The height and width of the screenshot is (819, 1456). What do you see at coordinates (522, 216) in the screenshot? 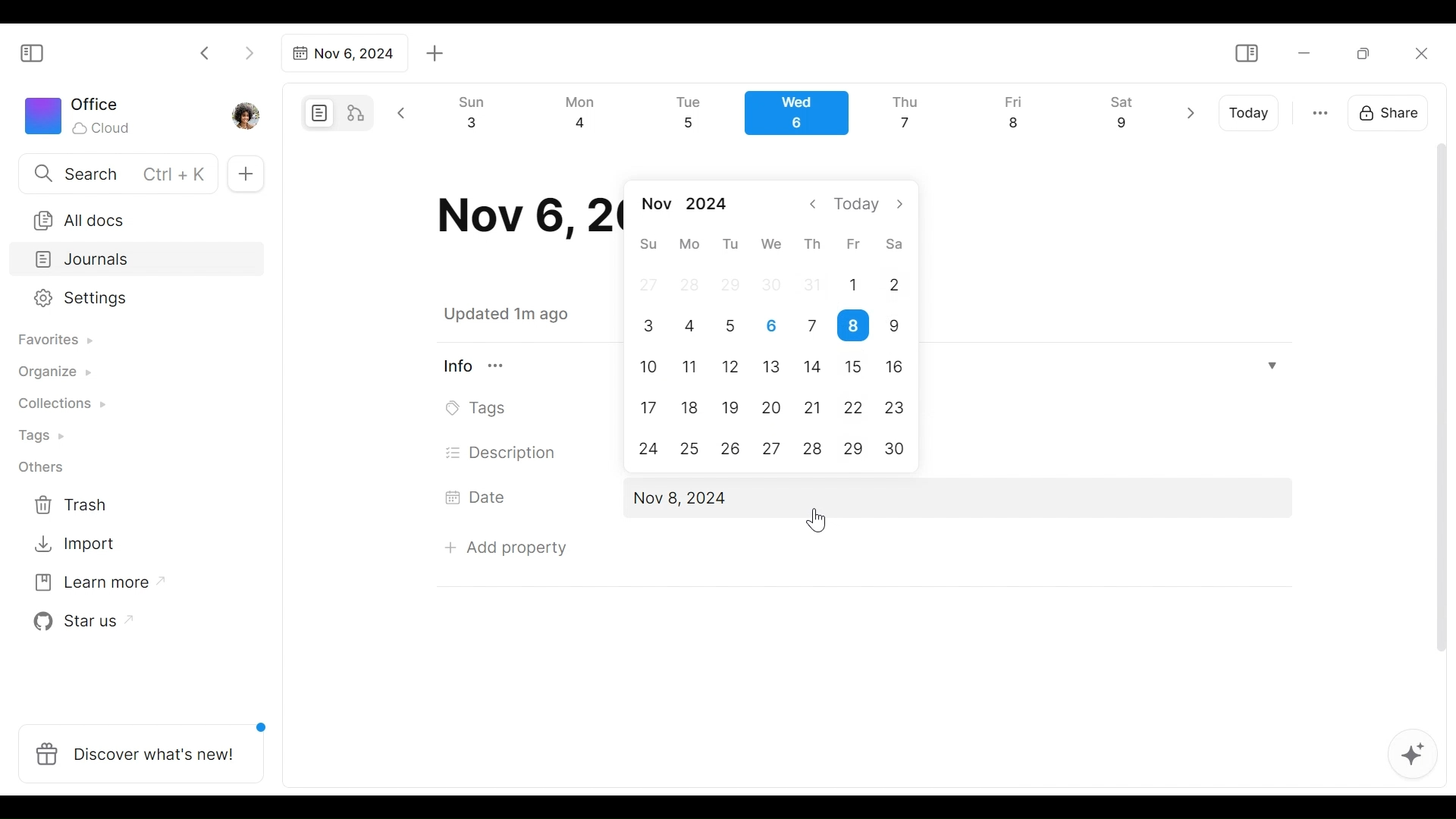
I see `Date` at bounding box center [522, 216].